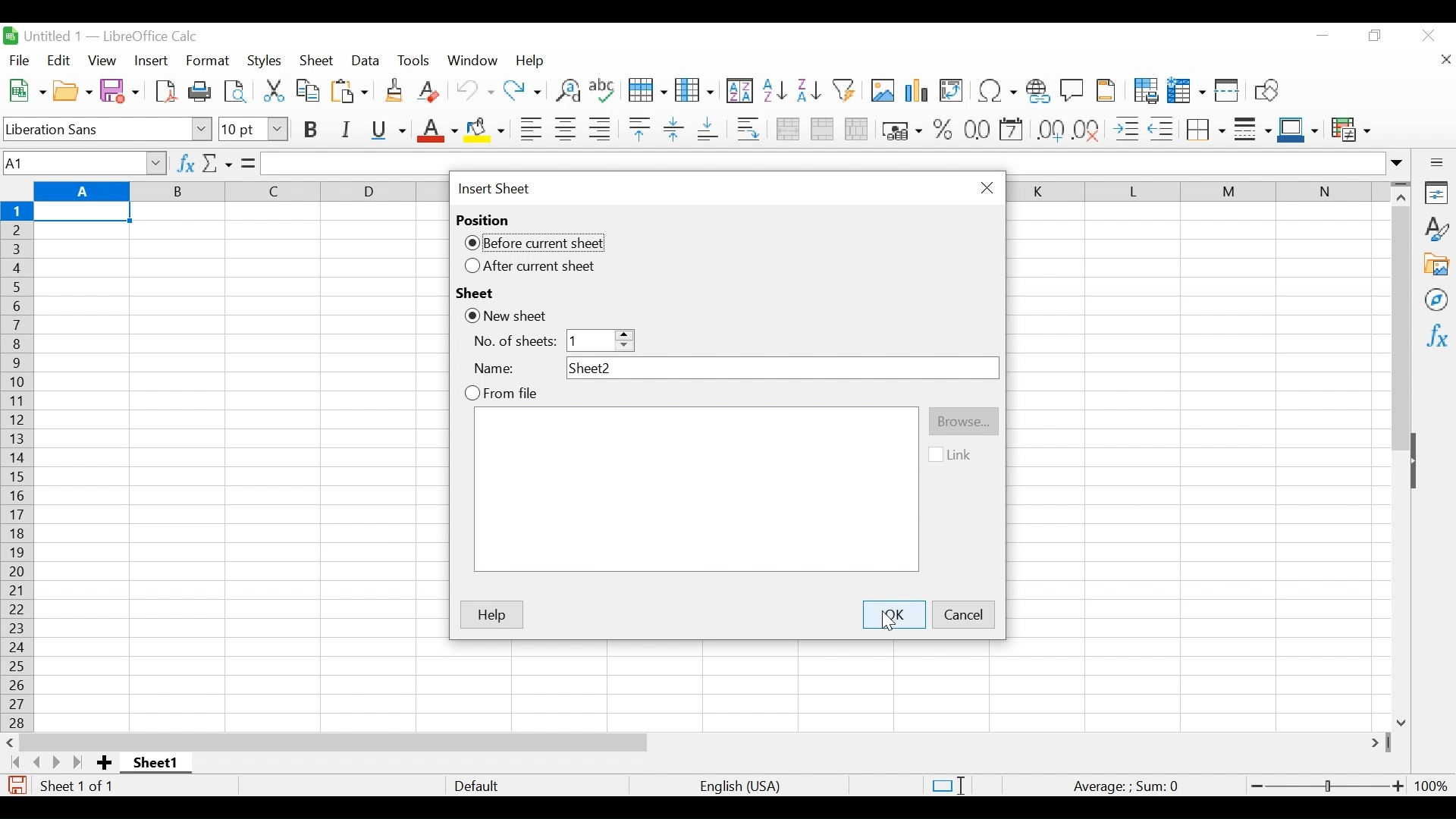 This screenshot has height=819, width=1456. I want to click on Align Center, so click(566, 129).